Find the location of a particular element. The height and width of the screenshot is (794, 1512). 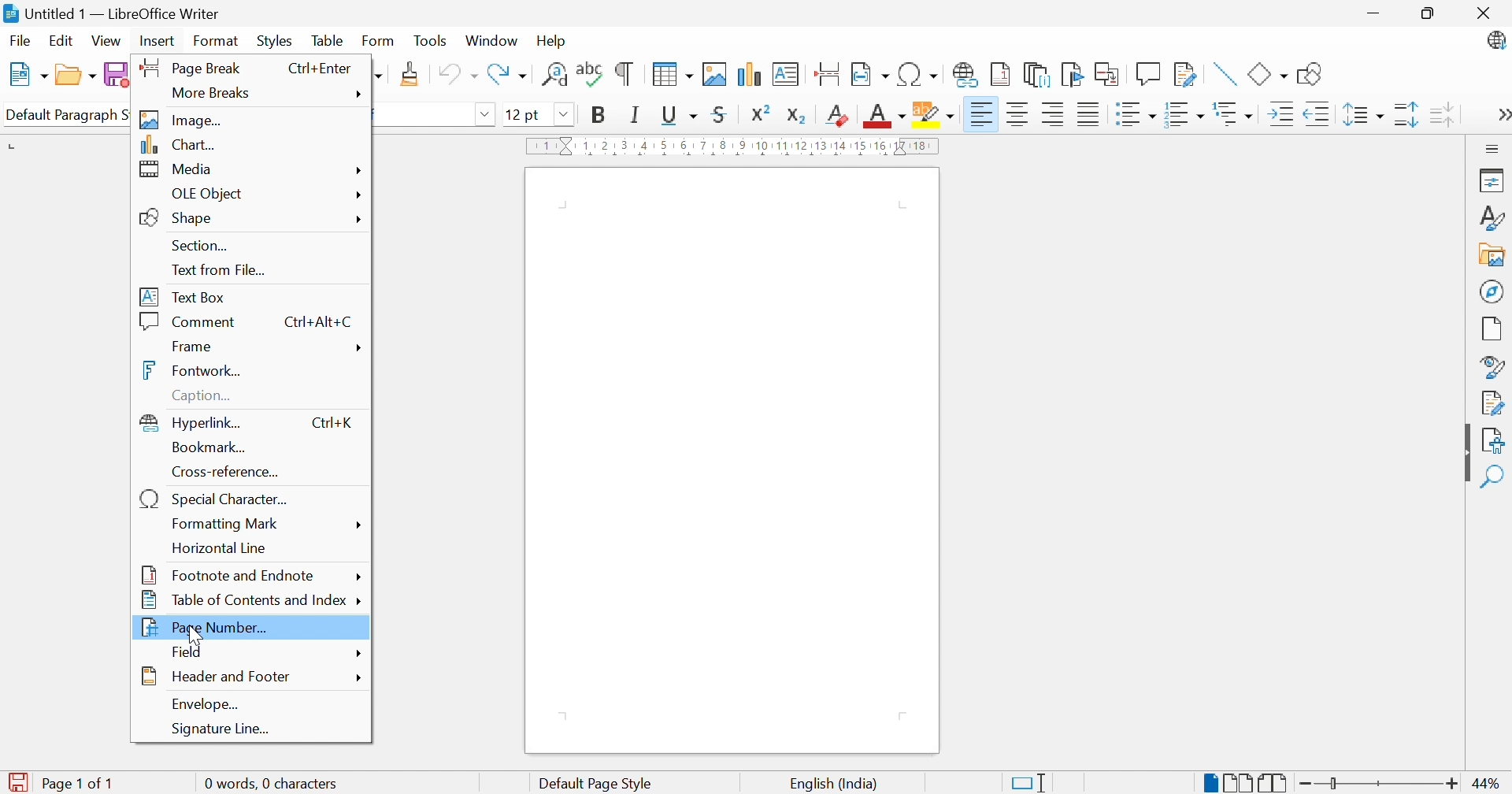

More is located at coordinates (357, 350).